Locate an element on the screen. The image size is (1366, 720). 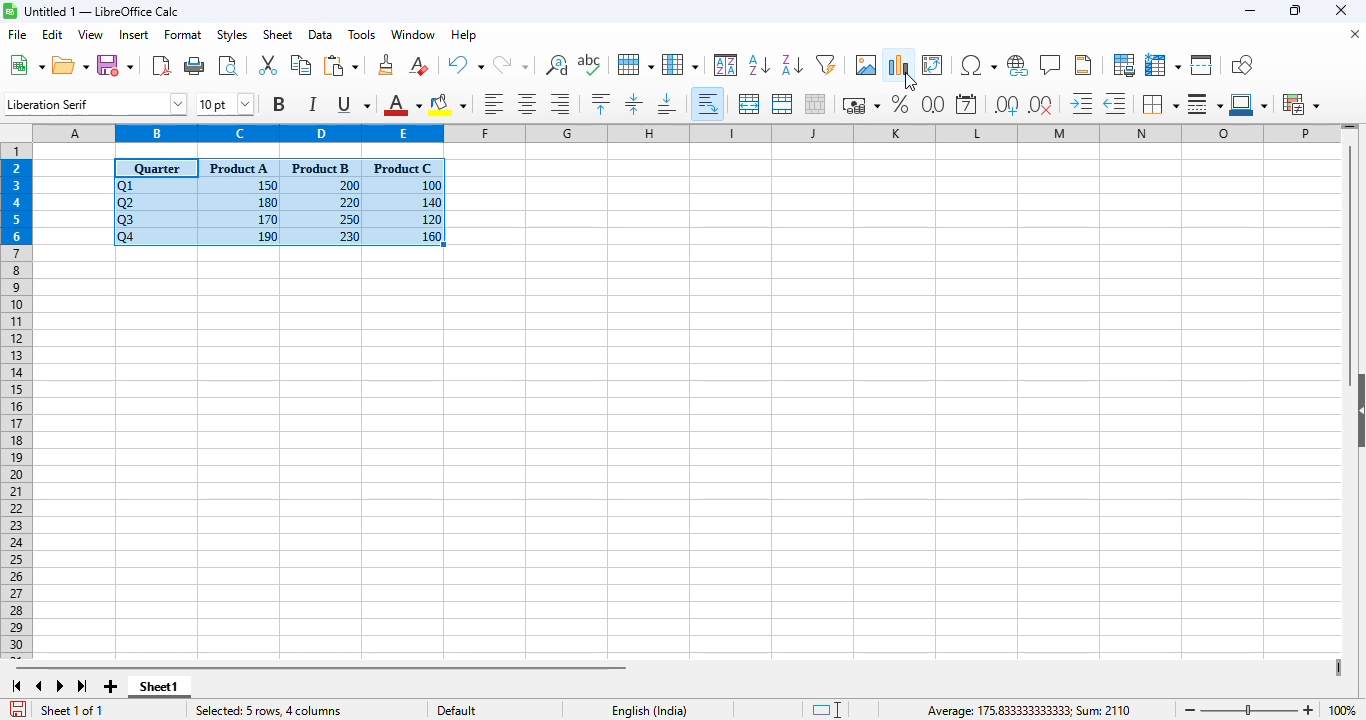
sort descending is located at coordinates (793, 65).